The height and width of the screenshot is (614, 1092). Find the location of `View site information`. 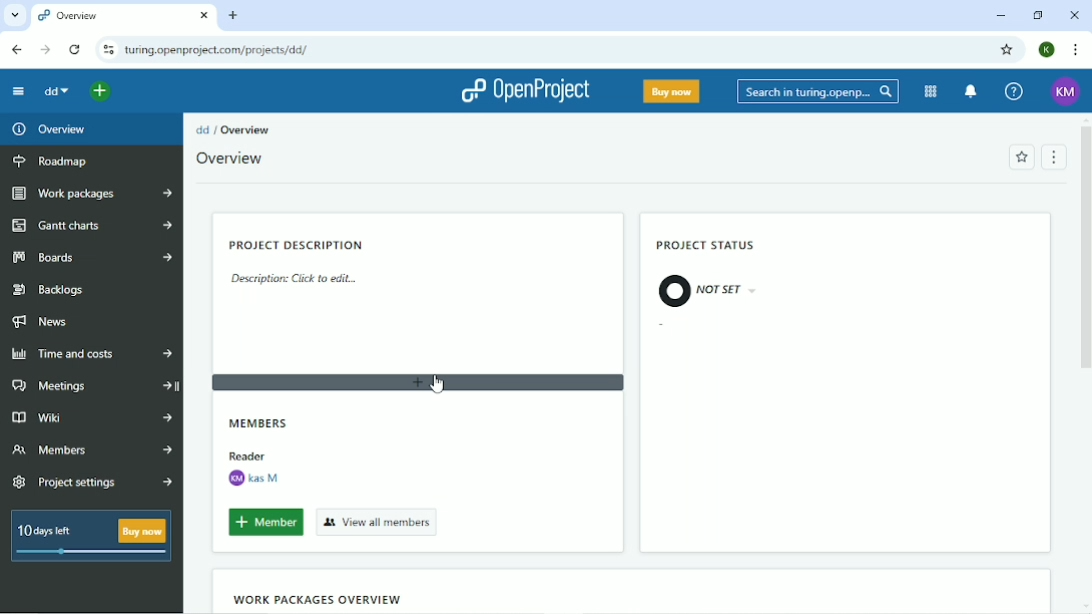

View site information is located at coordinates (109, 49).